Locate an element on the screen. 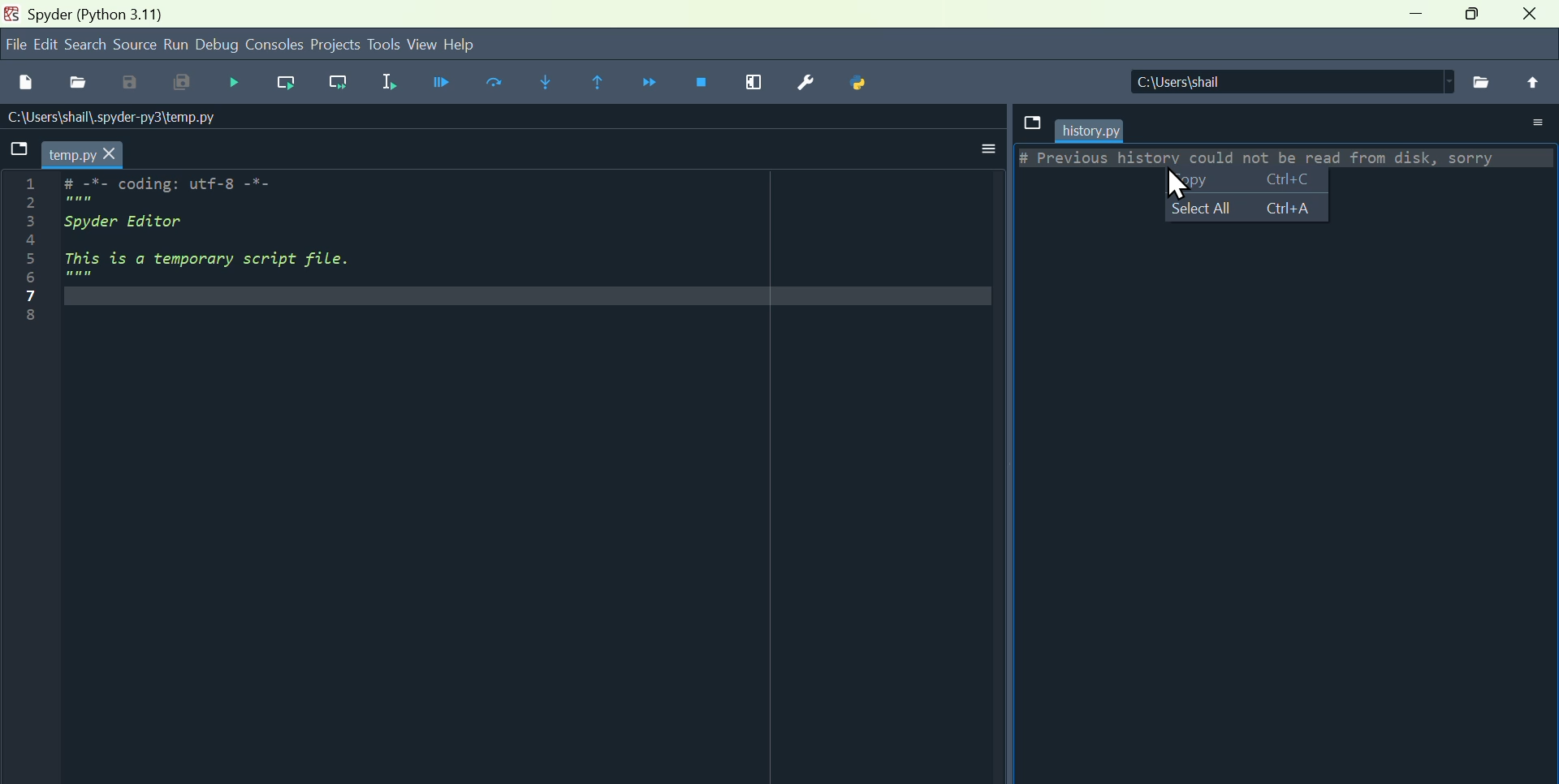 This screenshot has height=784, width=1559. Browse is located at coordinates (1481, 82).